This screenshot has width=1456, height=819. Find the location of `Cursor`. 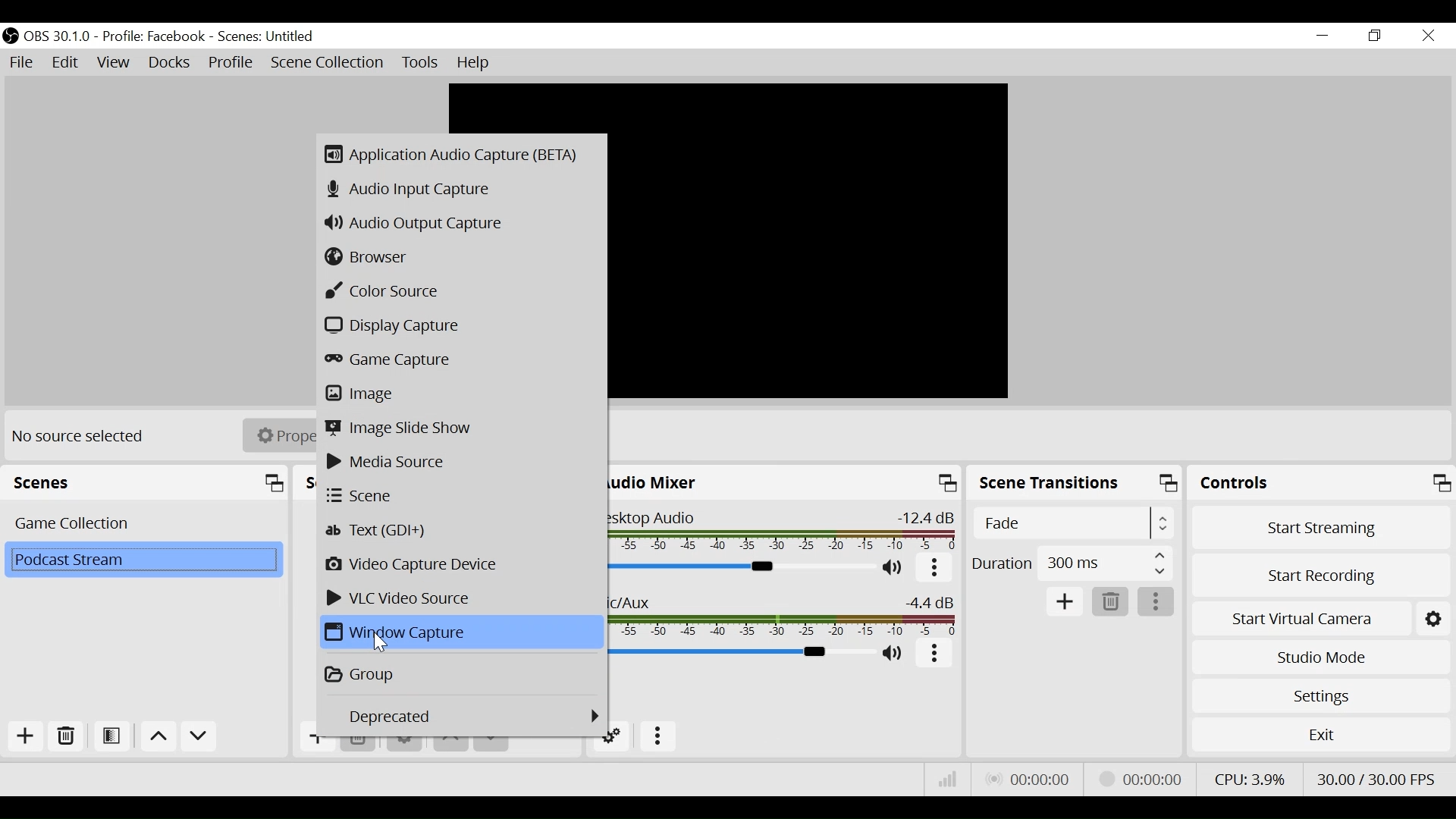

Cursor is located at coordinates (381, 642).